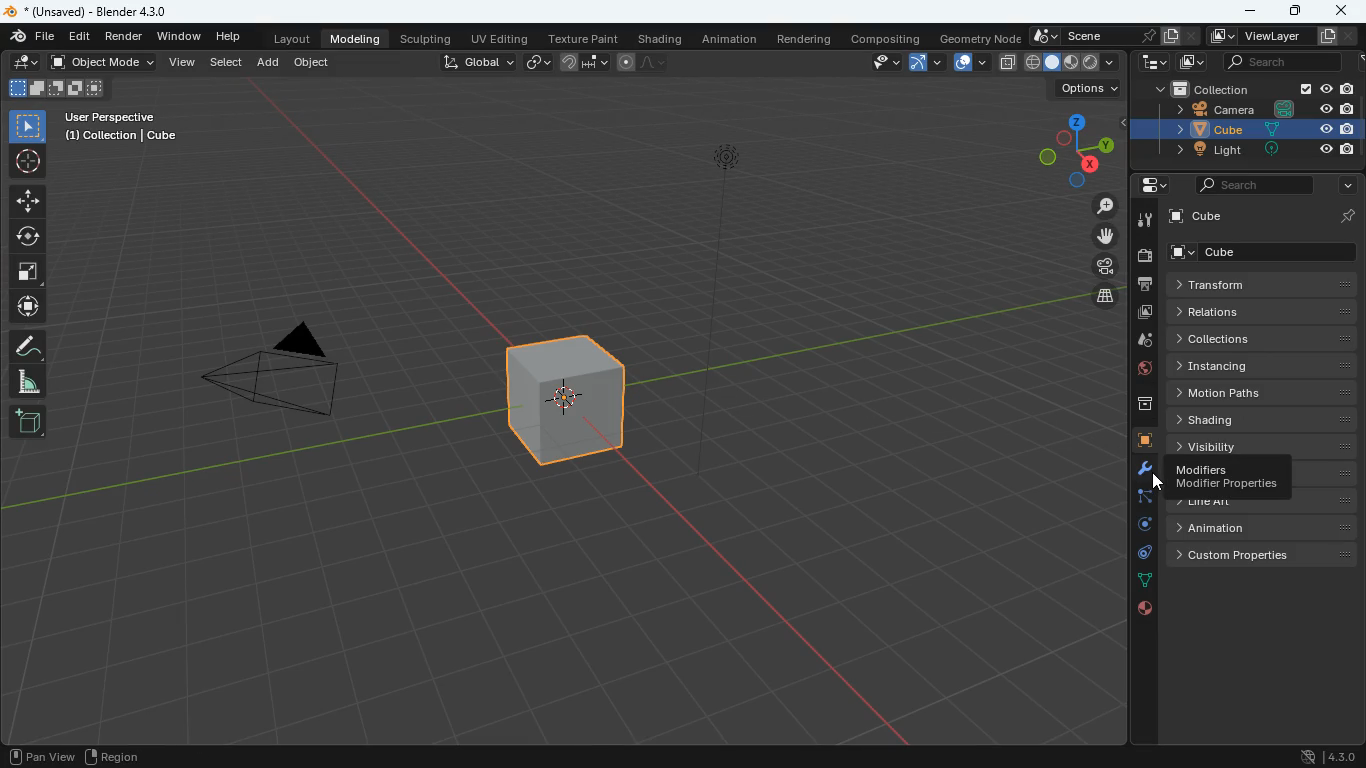  What do you see at coordinates (728, 38) in the screenshot?
I see `animation` at bounding box center [728, 38].